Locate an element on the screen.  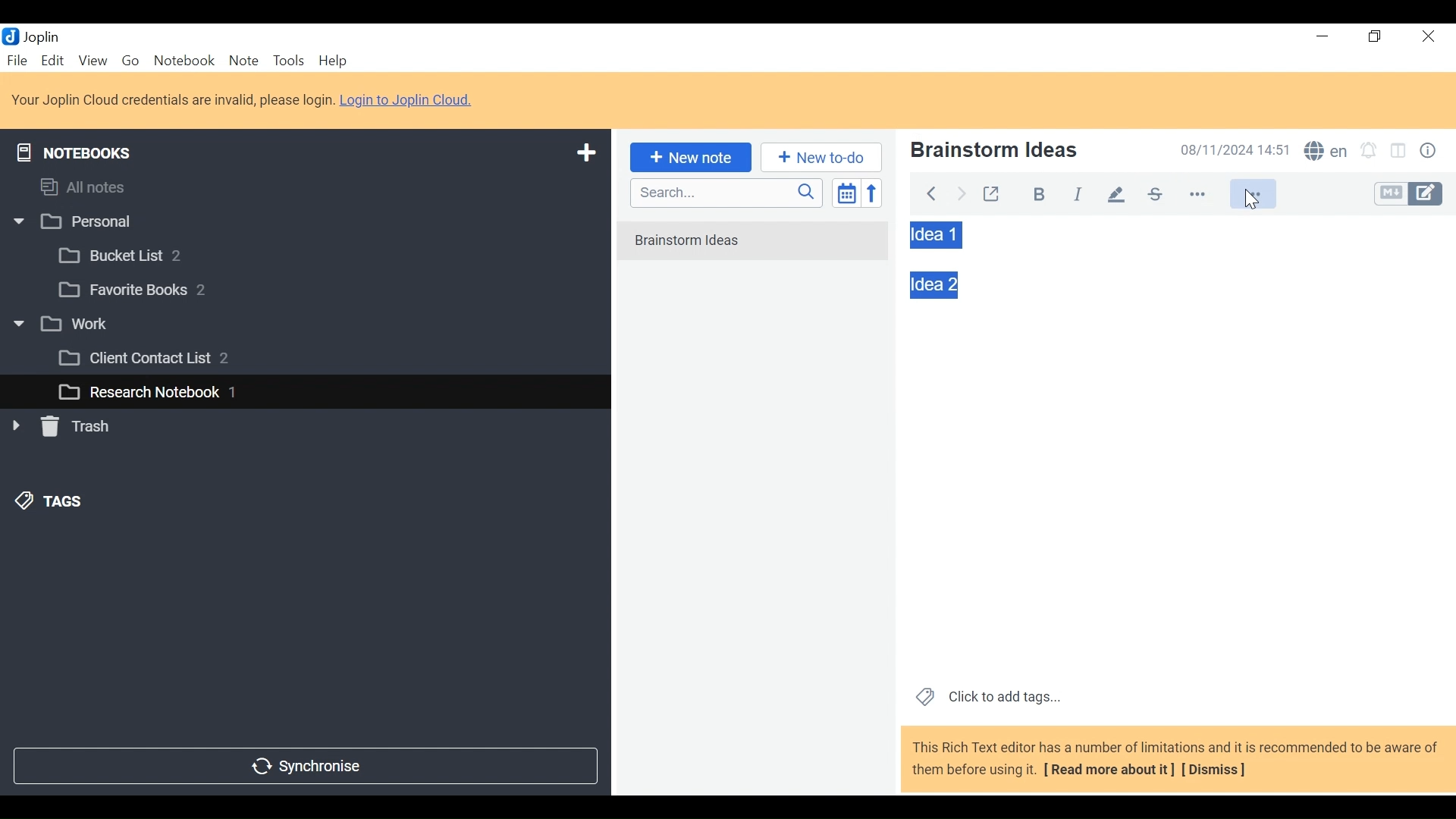
more options is located at coordinates (1207, 195).